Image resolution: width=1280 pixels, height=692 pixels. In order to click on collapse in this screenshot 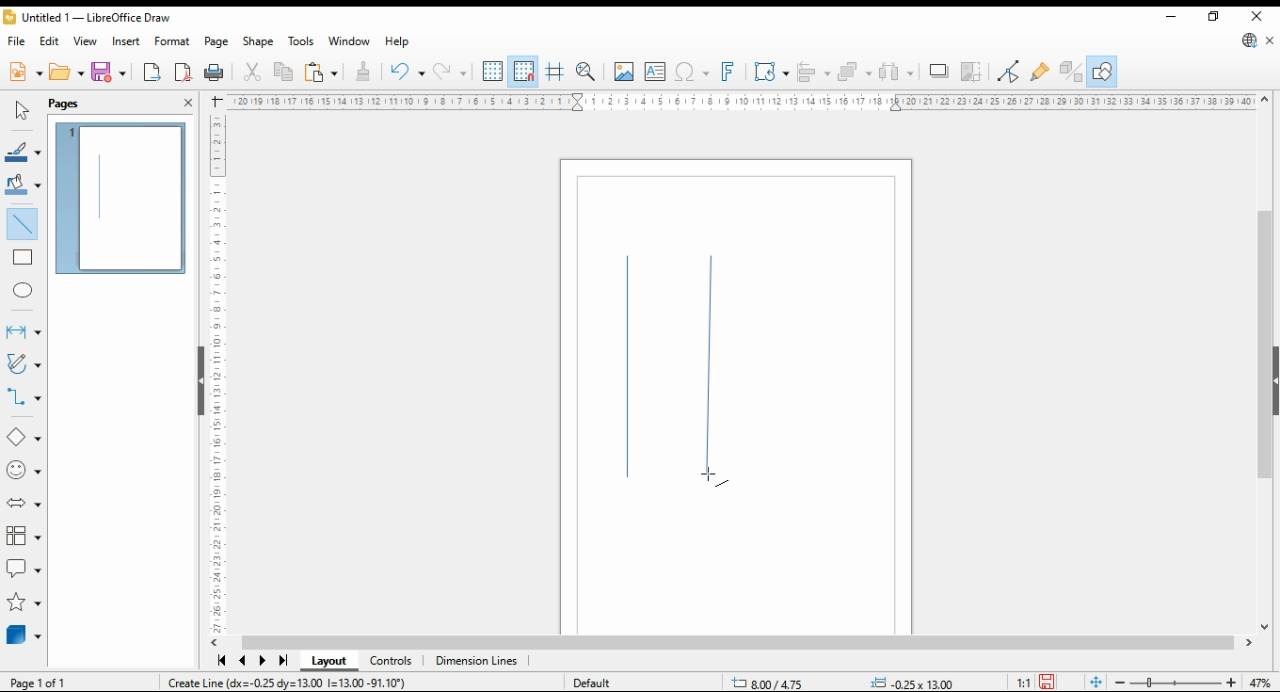, I will do `click(1274, 379)`.